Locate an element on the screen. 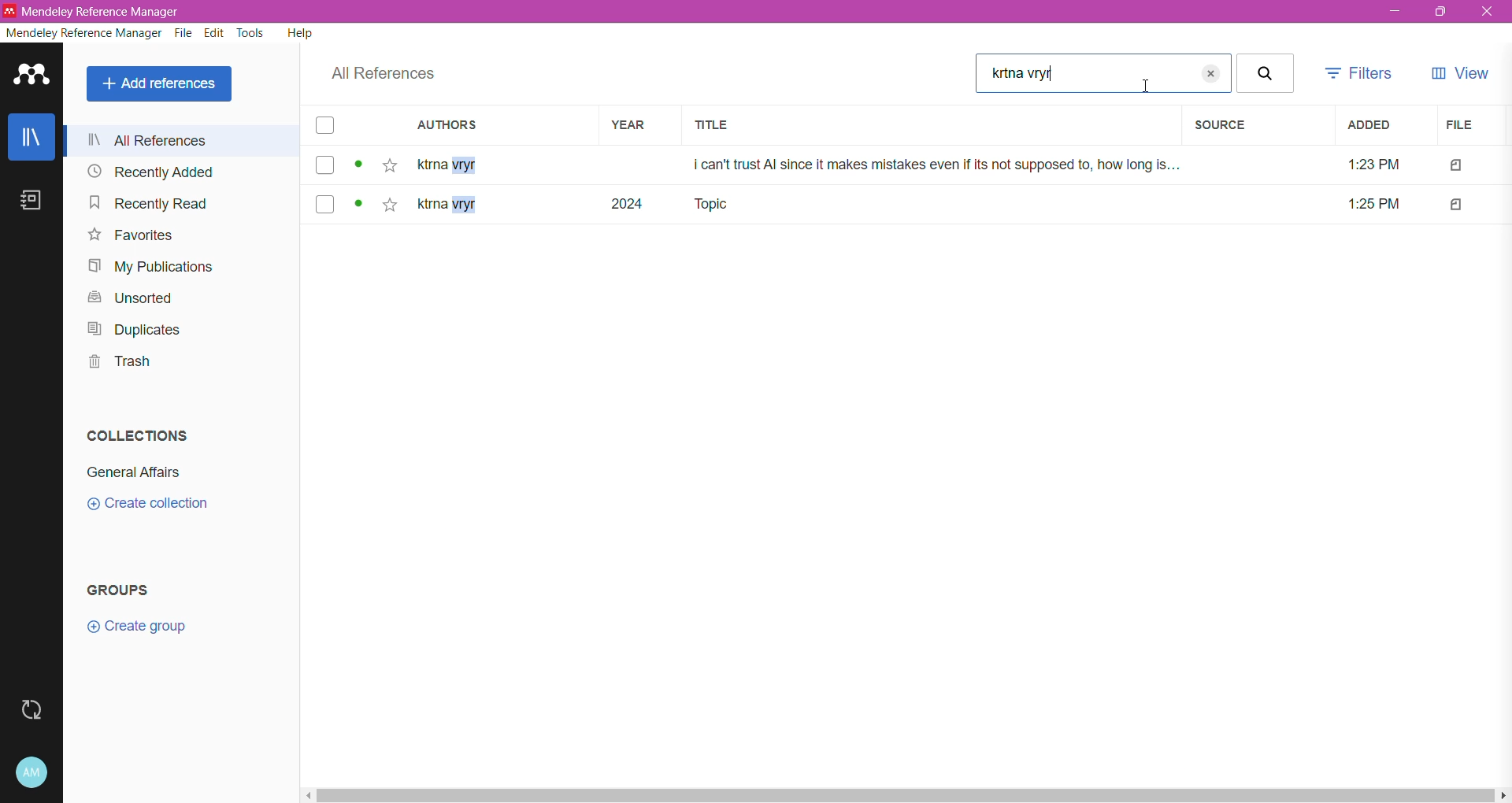  click here to add to favourites is located at coordinates (388, 204).